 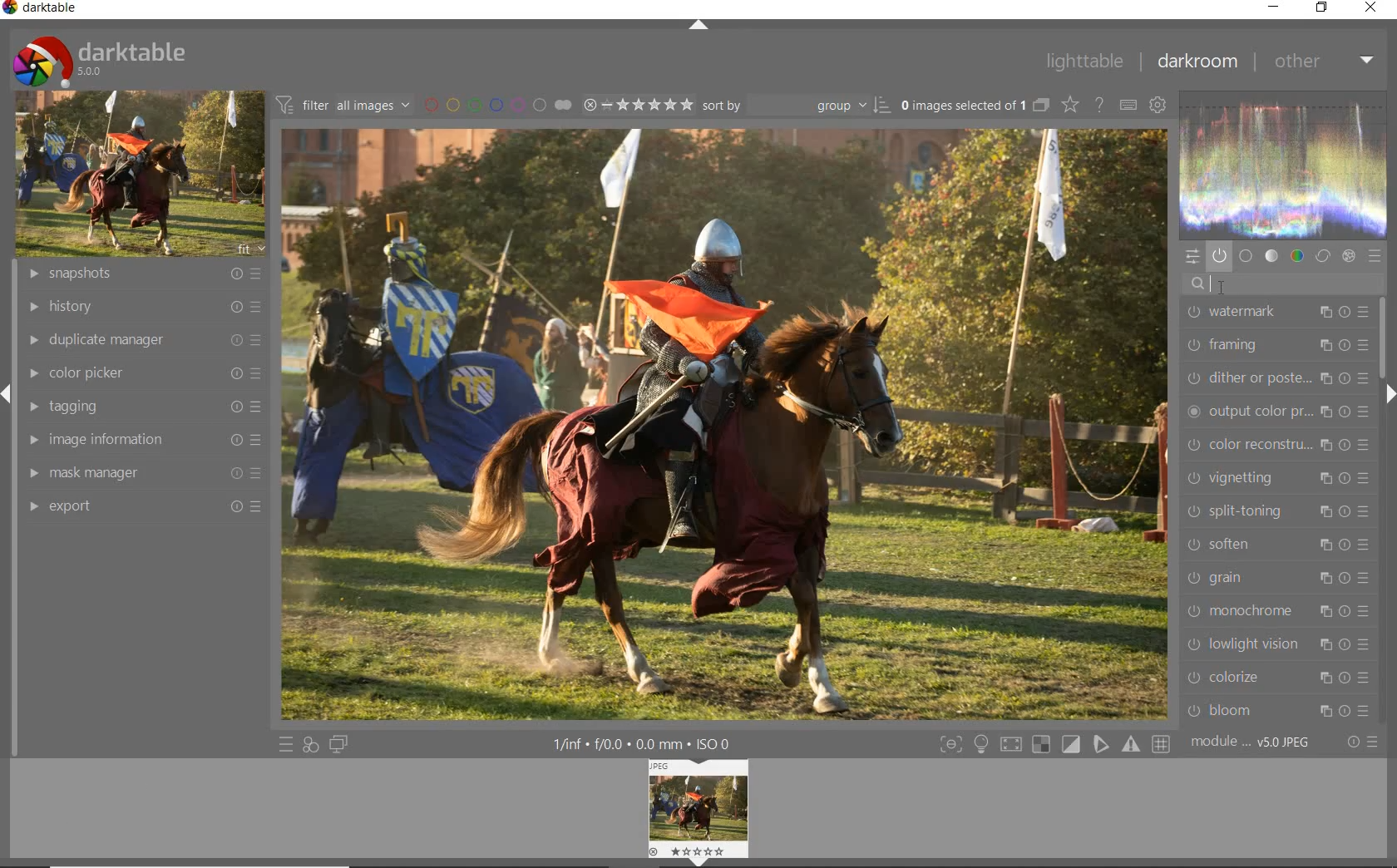 I want to click on colorize, so click(x=1279, y=677).